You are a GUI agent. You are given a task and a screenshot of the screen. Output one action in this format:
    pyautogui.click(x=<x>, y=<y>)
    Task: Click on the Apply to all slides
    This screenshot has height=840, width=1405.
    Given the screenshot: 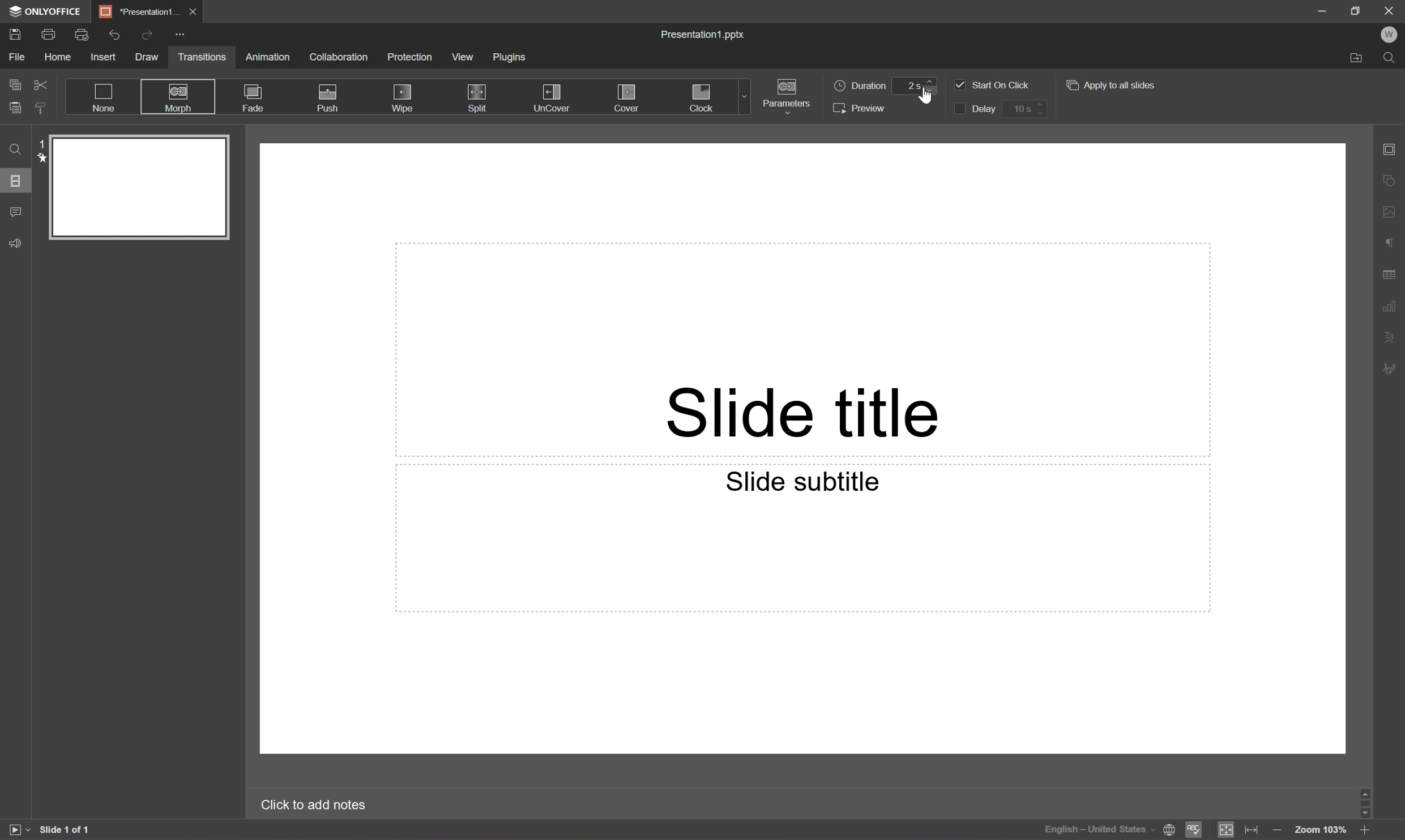 What is the action you would take?
    pyautogui.click(x=1112, y=85)
    